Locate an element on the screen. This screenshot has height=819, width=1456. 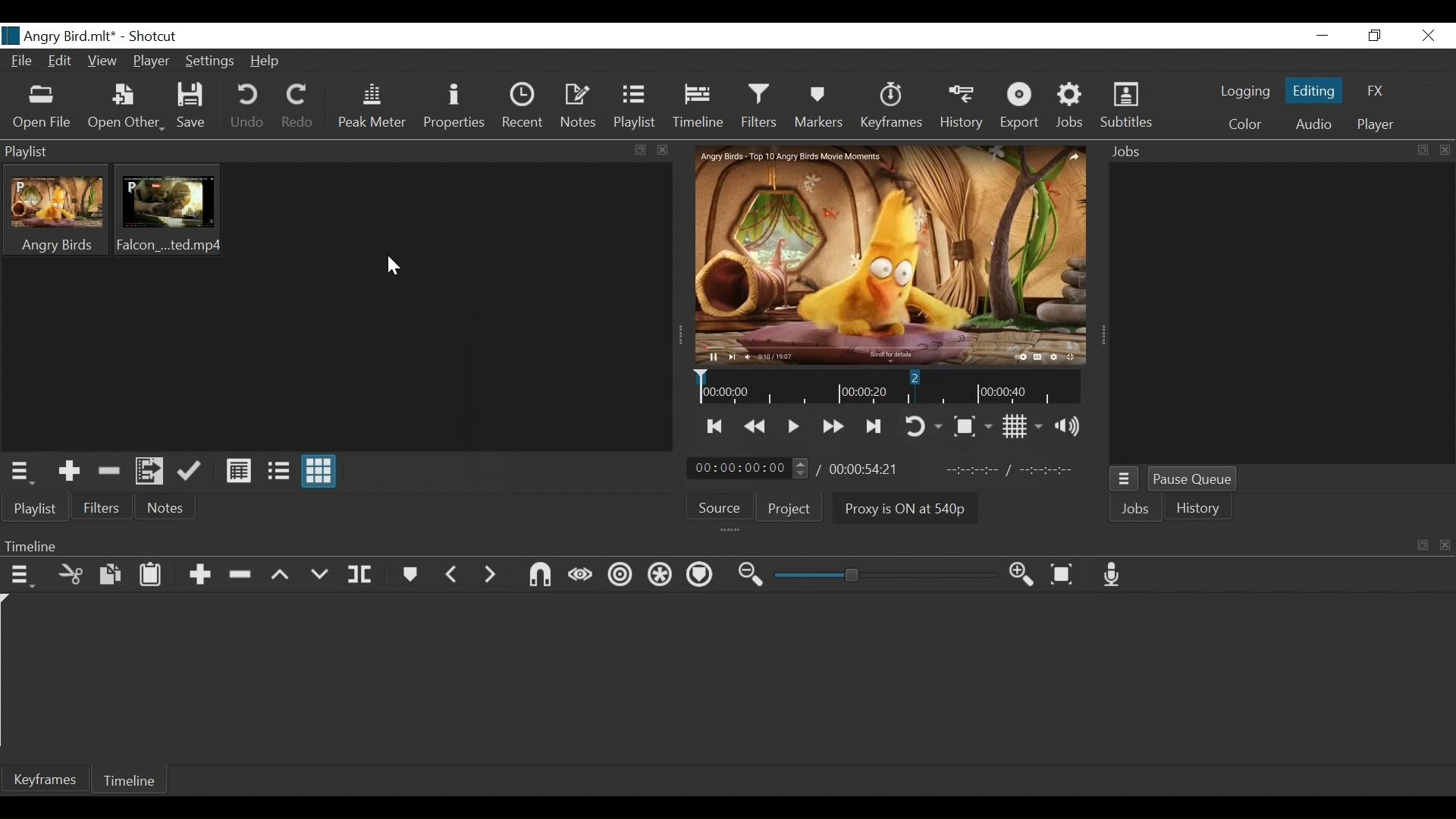
Timeline Panel is located at coordinates (723, 543).